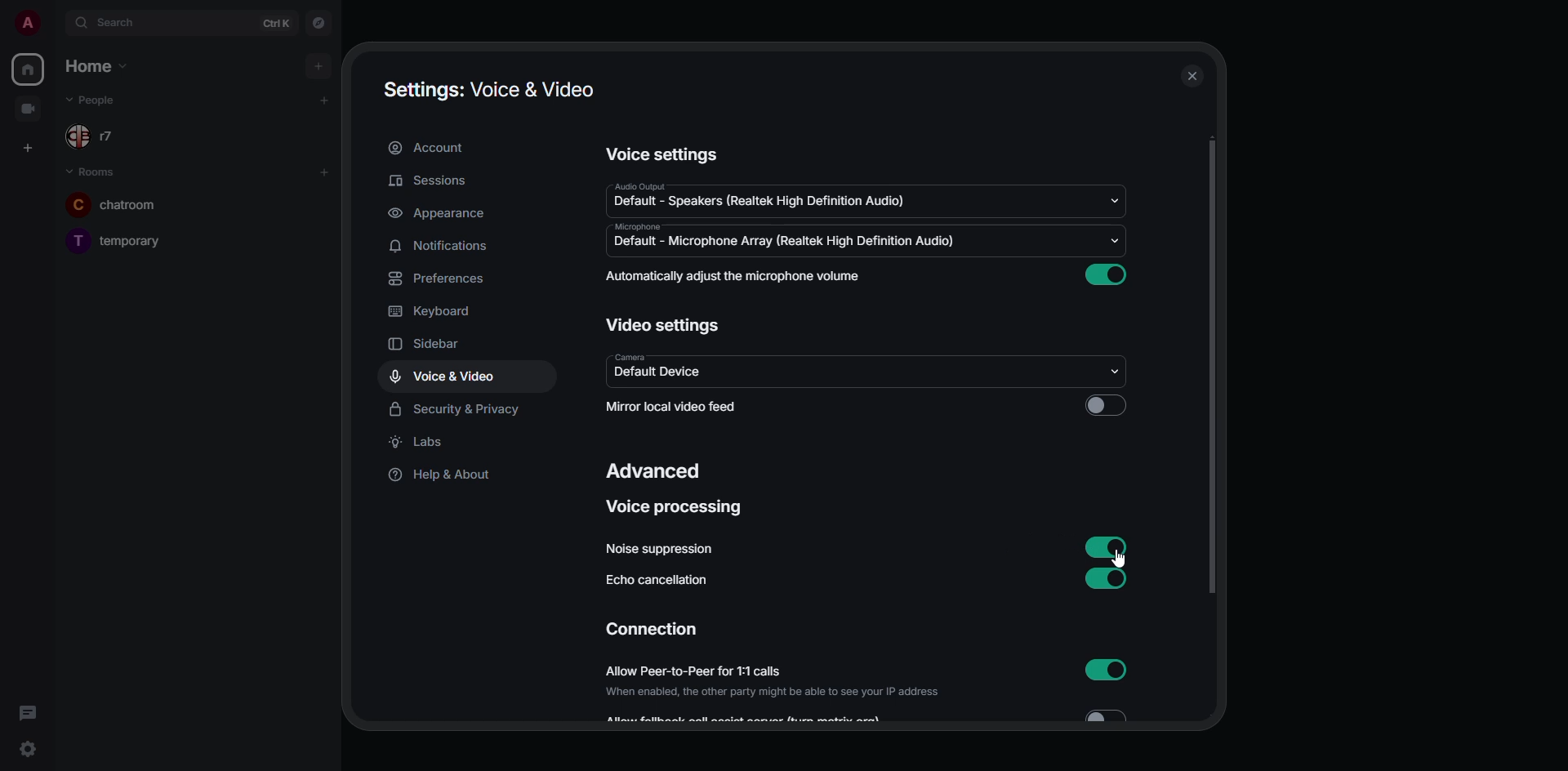 Image resolution: width=1568 pixels, height=771 pixels. I want to click on video room, so click(28, 107).